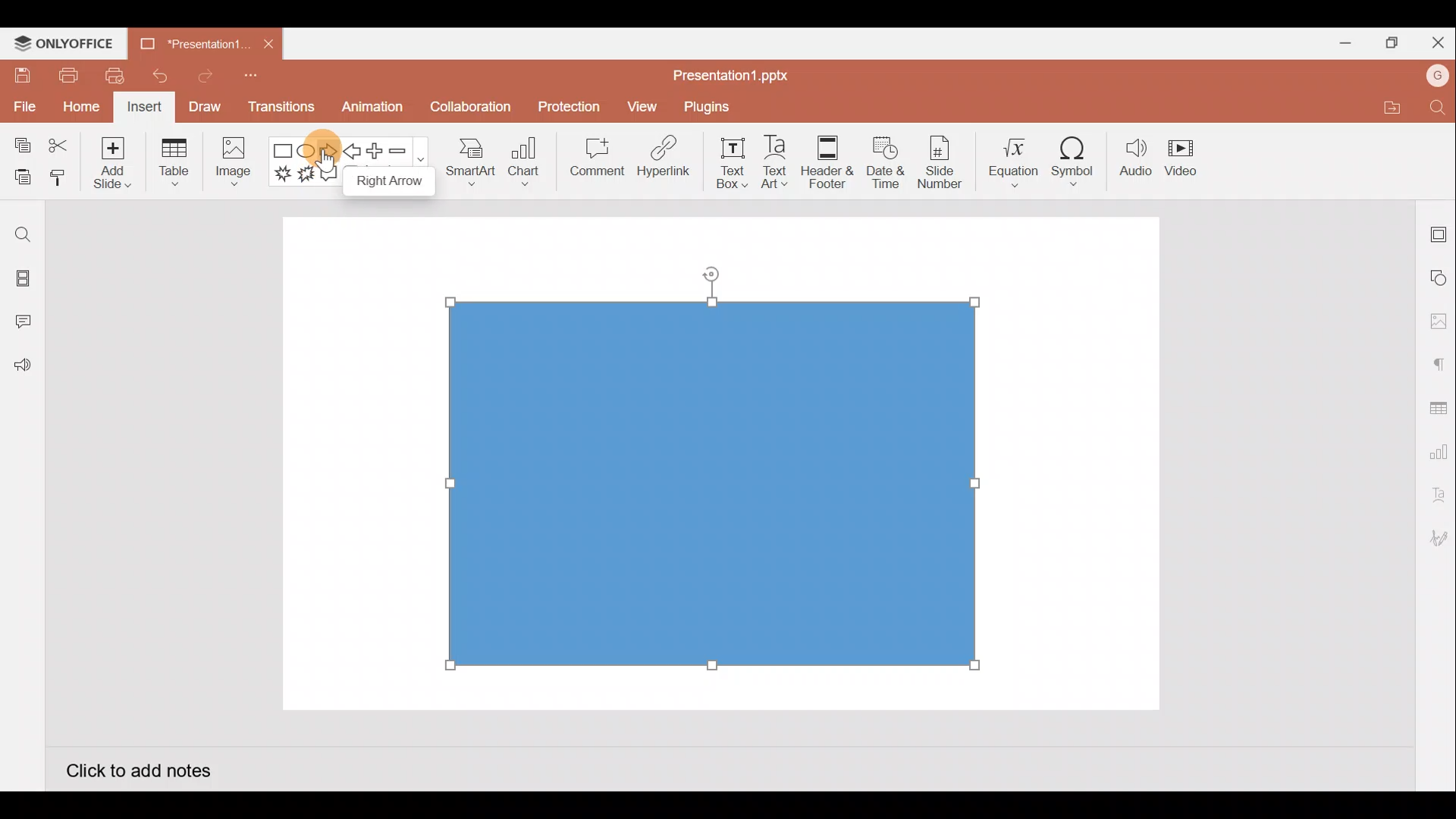  I want to click on Text Art, so click(781, 158).